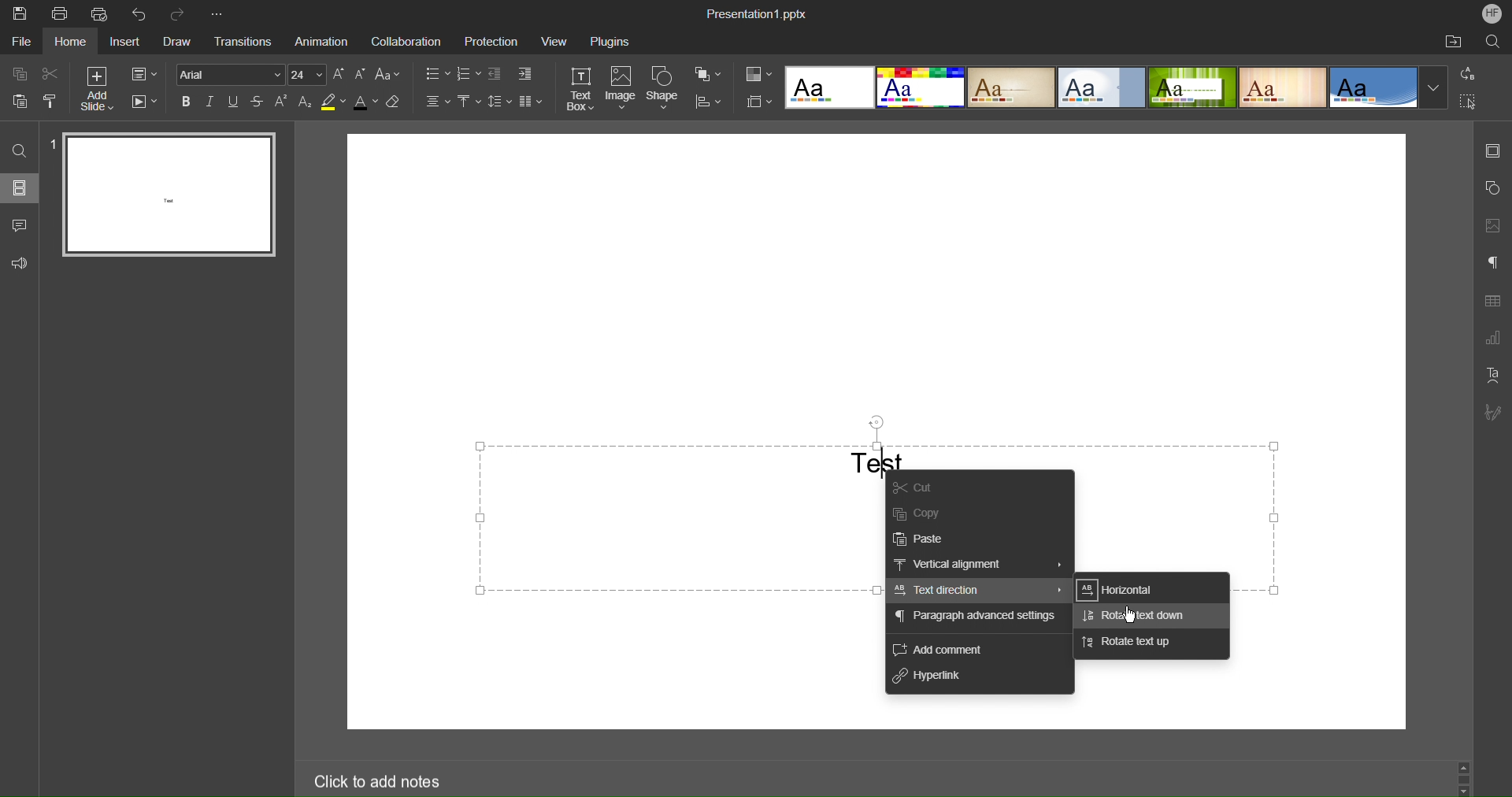 The height and width of the screenshot is (797, 1512). What do you see at coordinates (1492, 15) in the screenshot?
I see `Account` at bounding box center [1492, 15].